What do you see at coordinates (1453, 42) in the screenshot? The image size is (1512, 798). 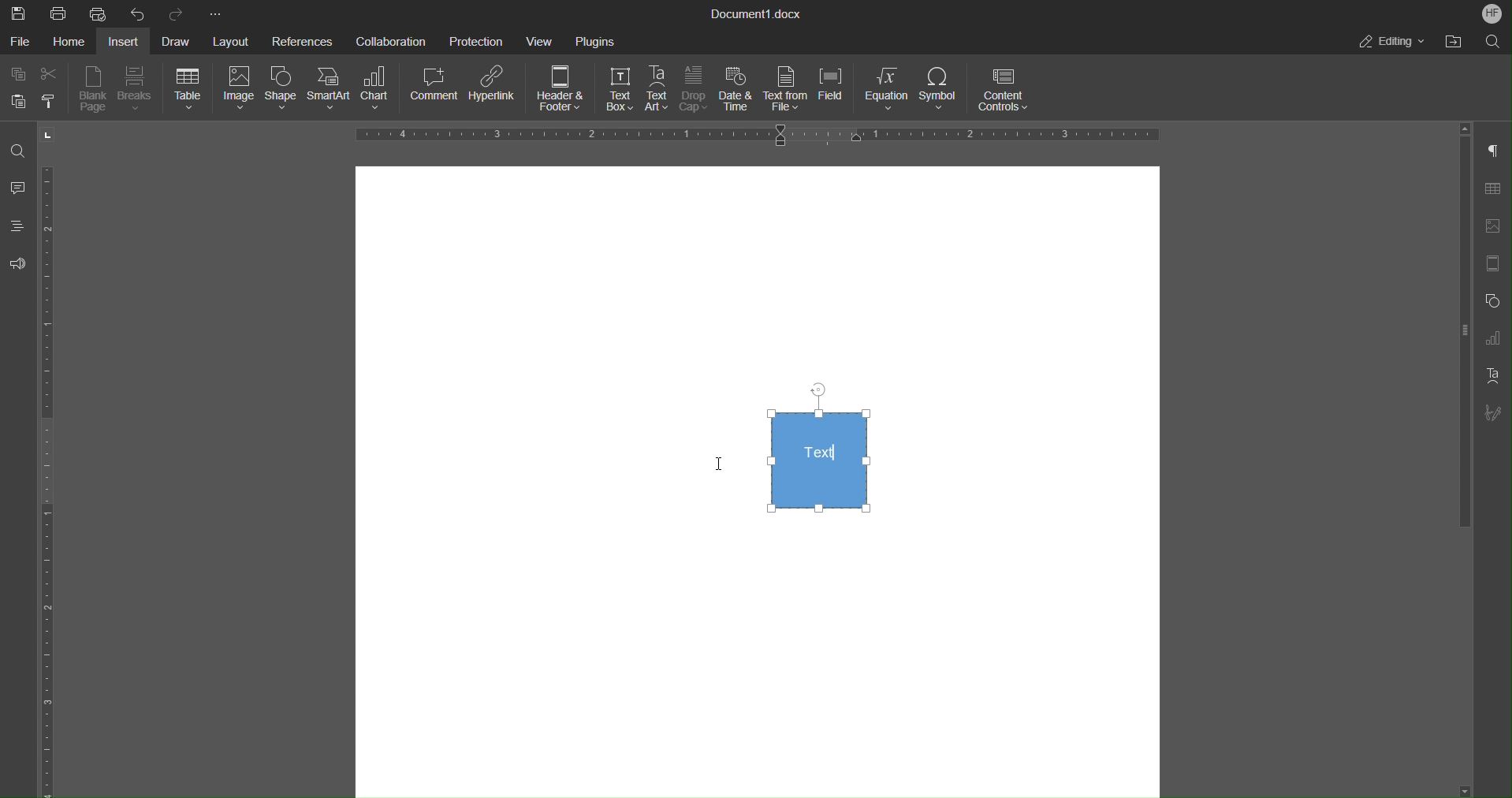 I see `Open File Location` at bounding box center [1453, 42].